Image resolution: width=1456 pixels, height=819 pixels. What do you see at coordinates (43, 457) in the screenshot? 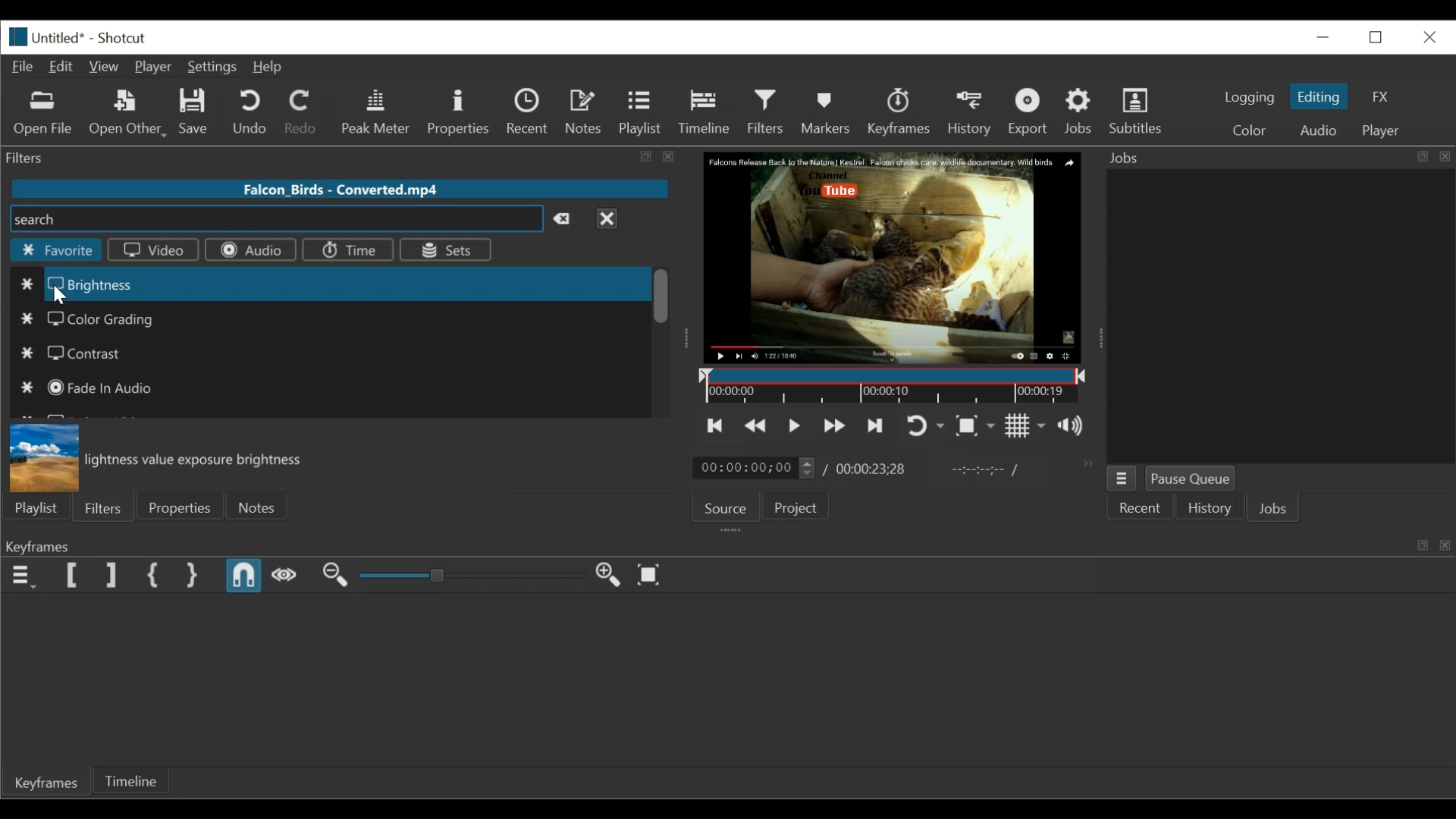
I see `Brightness preview` at bounding box center [43, 457].